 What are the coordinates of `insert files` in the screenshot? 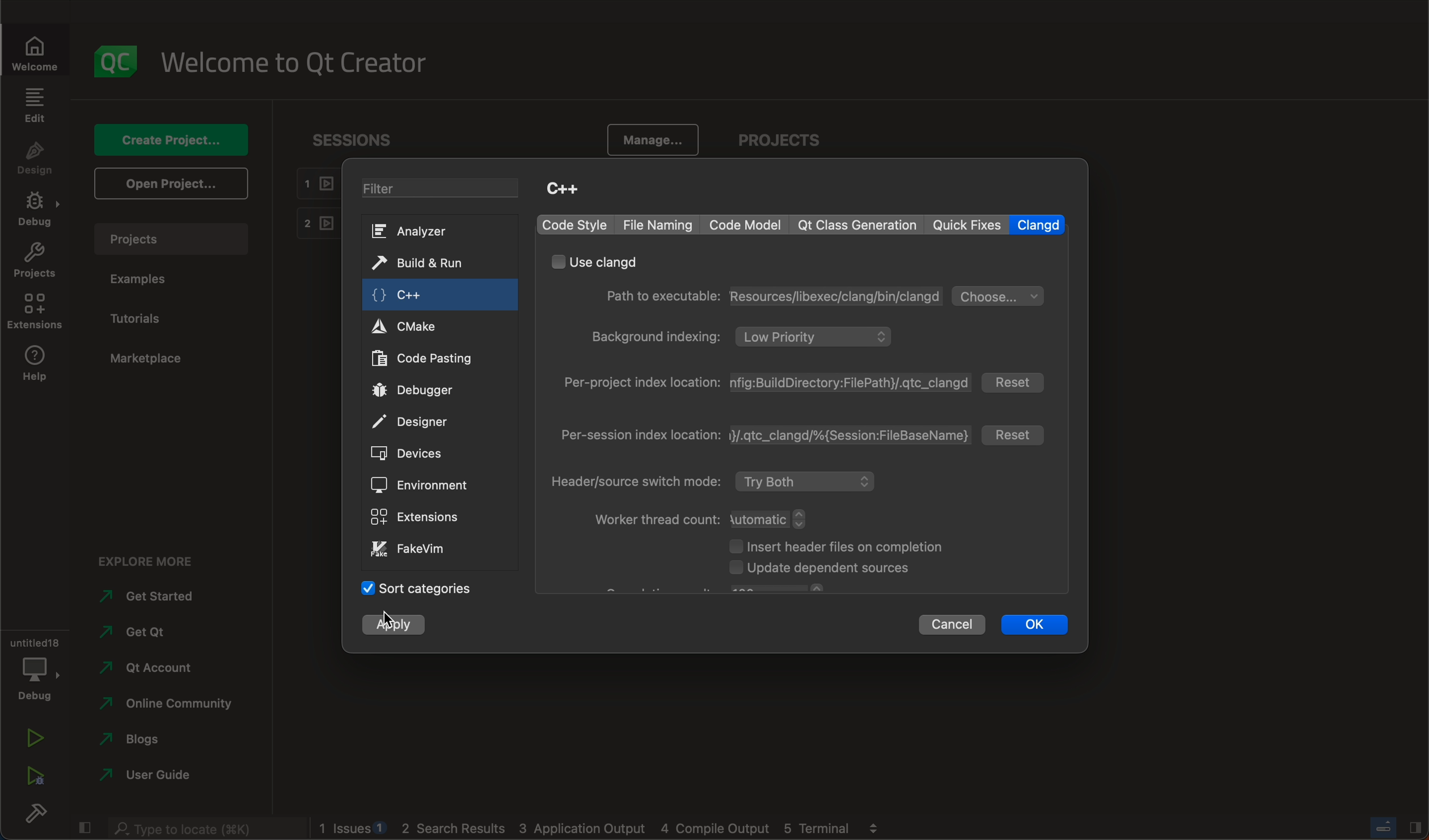 It's located at (841, 545).